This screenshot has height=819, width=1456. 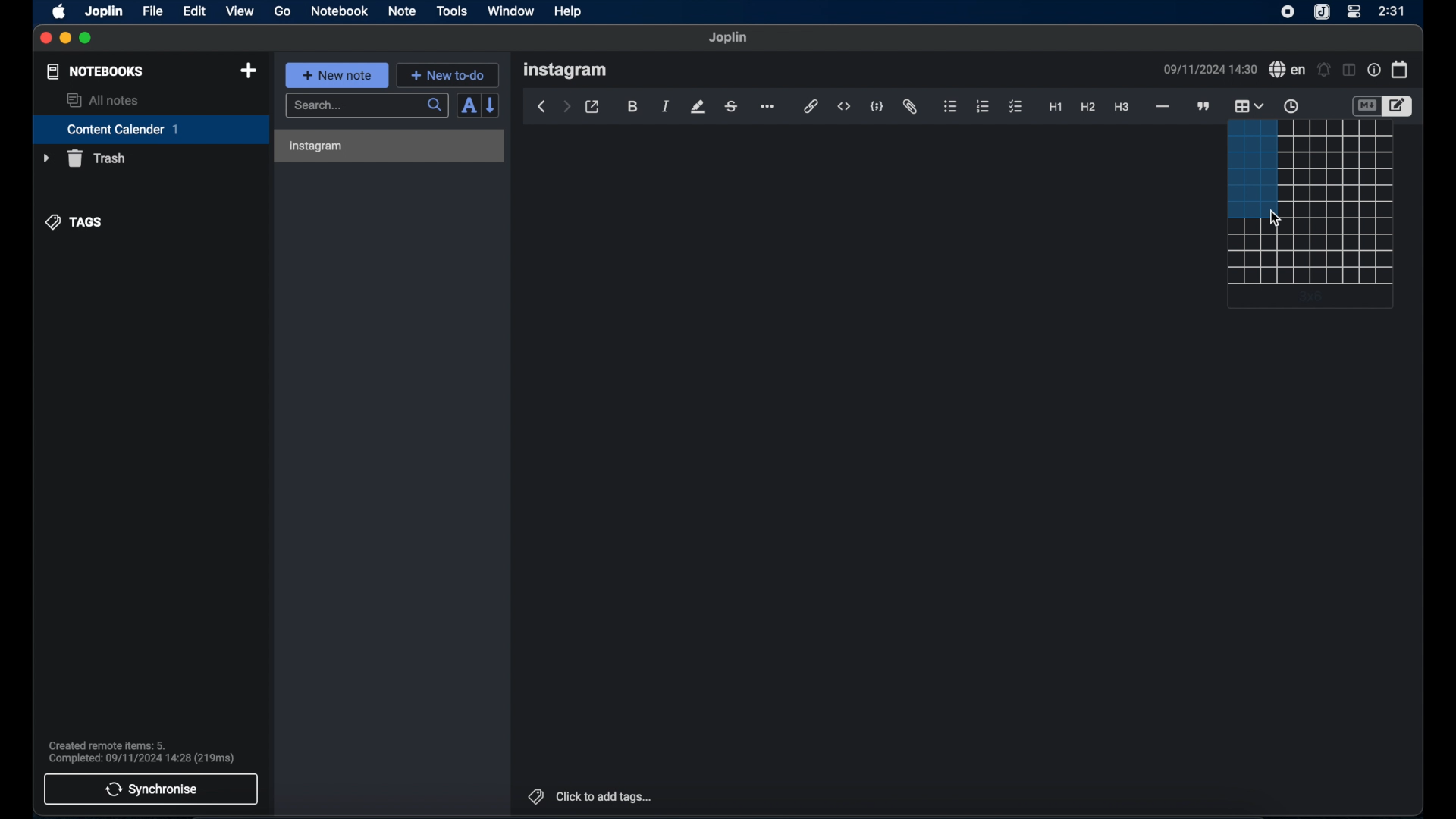 What do you see at coordinates (1365, 105) in the screenshot?
I see `toggle editor` at bounding box center [1365, 105].